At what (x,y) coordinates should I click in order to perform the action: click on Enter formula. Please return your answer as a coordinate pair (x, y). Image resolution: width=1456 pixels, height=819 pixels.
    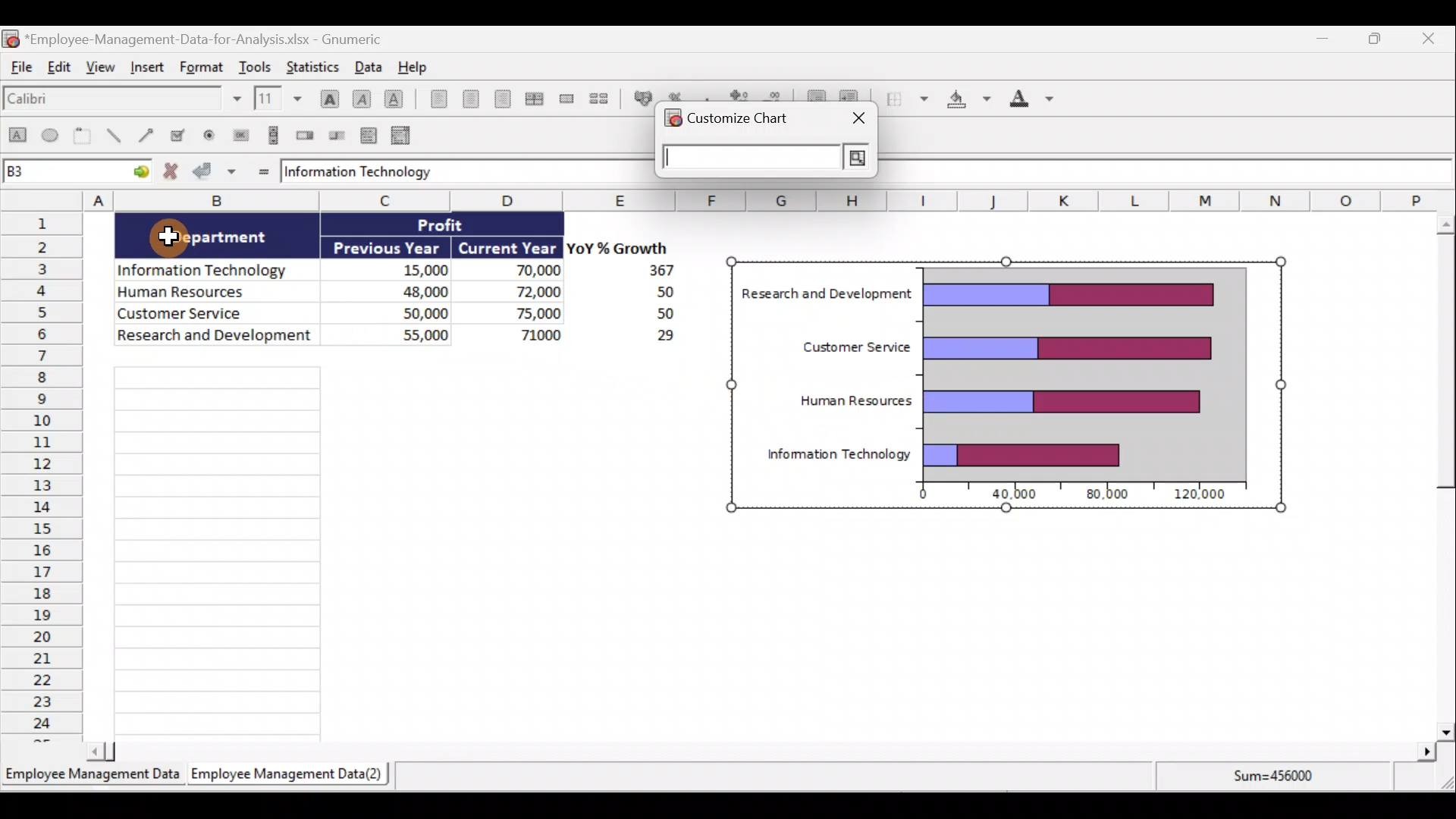
    Looking at the image, I should click on (263, 171).